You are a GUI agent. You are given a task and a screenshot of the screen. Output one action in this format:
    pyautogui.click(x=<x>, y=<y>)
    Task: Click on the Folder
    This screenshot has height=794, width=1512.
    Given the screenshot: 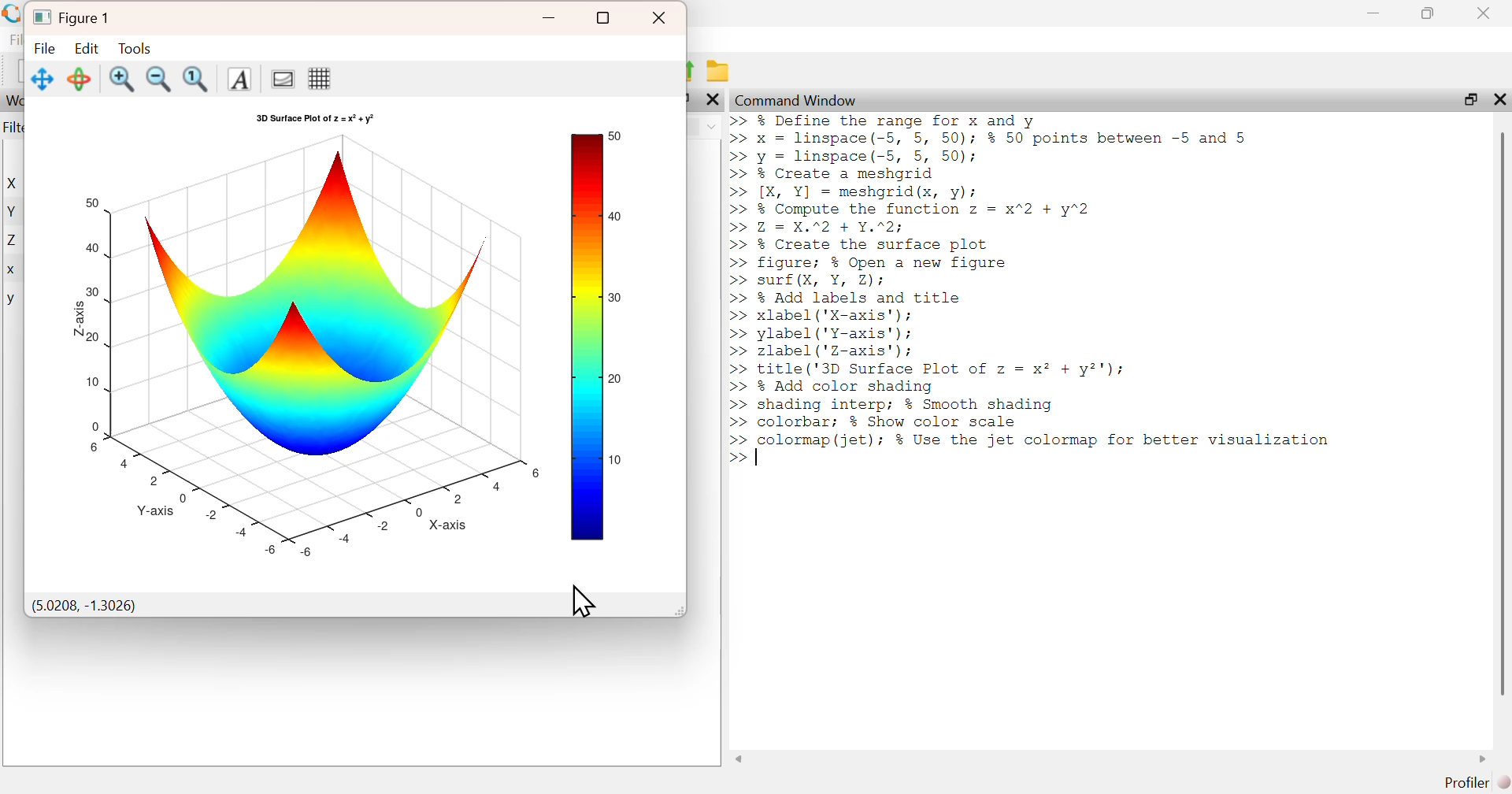 What is the action you would take?
    pyautogui.click(x=718, y=71)
    